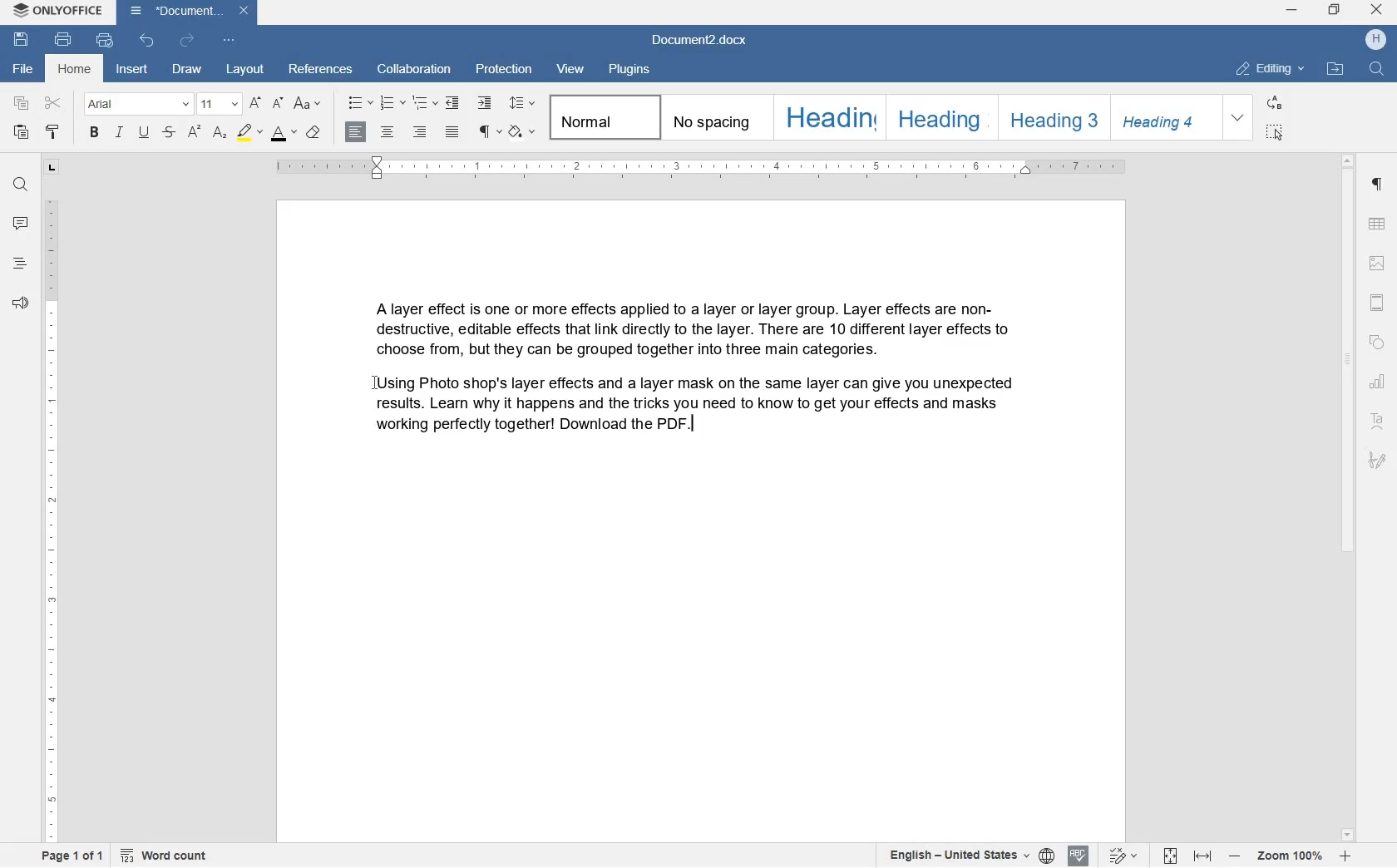 The height and width of the screenshot is (868, 1397). I want to click on INCREMENT FONT SIZE, so click(255, 102).